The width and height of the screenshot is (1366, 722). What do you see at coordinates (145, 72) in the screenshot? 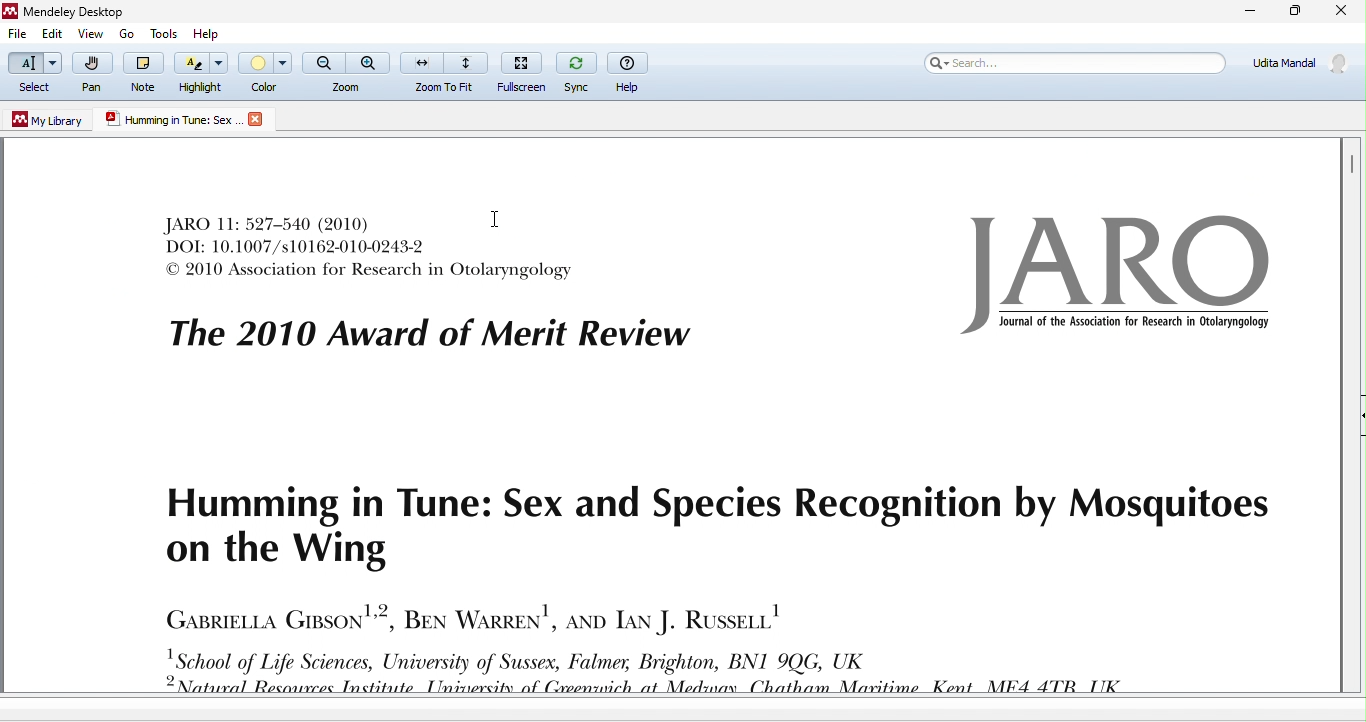
I see `note` at bounding box center [145, 72].